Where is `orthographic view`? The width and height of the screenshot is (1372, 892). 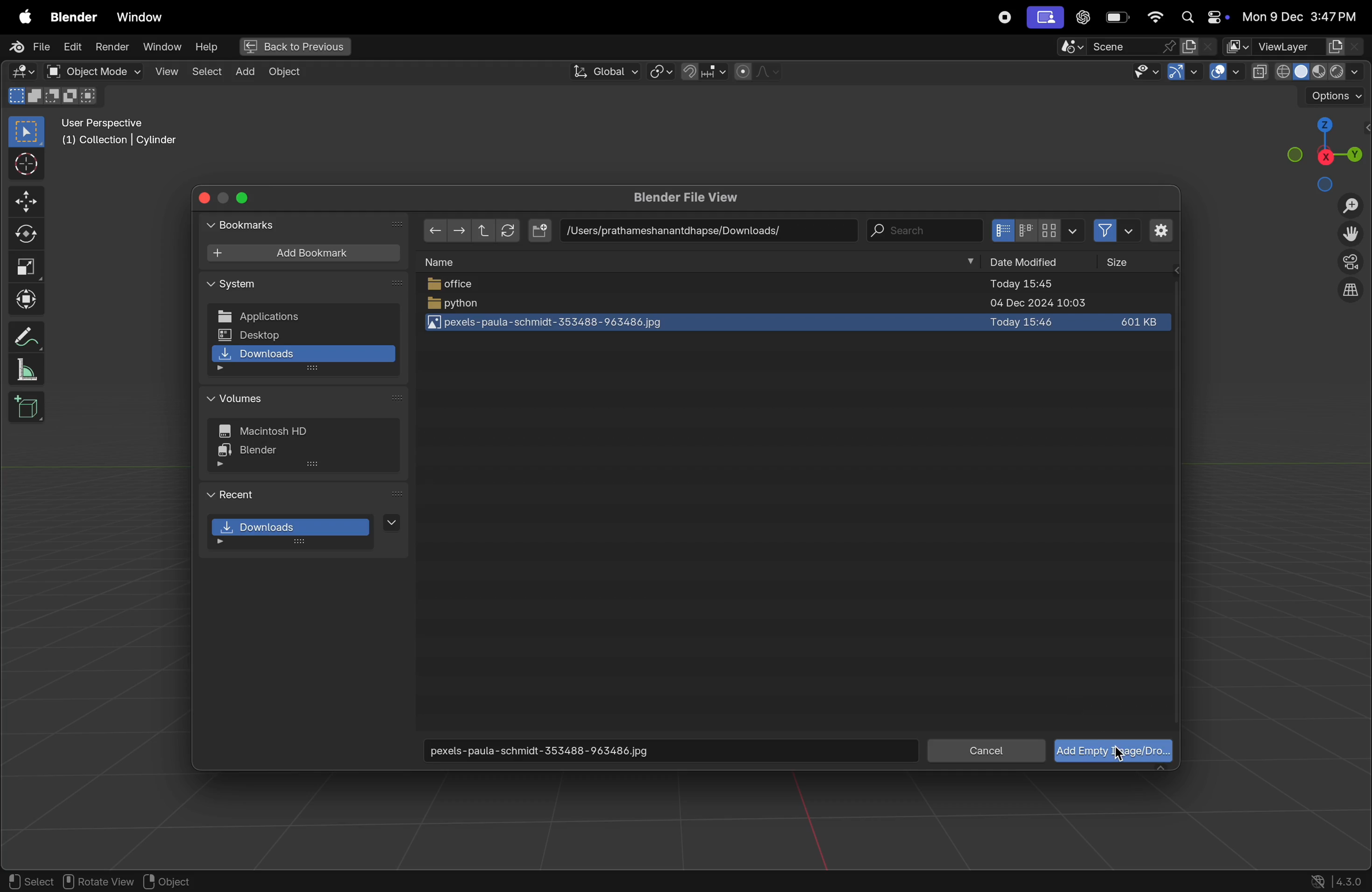
orthographic view is located at coordinates (1353, 293).